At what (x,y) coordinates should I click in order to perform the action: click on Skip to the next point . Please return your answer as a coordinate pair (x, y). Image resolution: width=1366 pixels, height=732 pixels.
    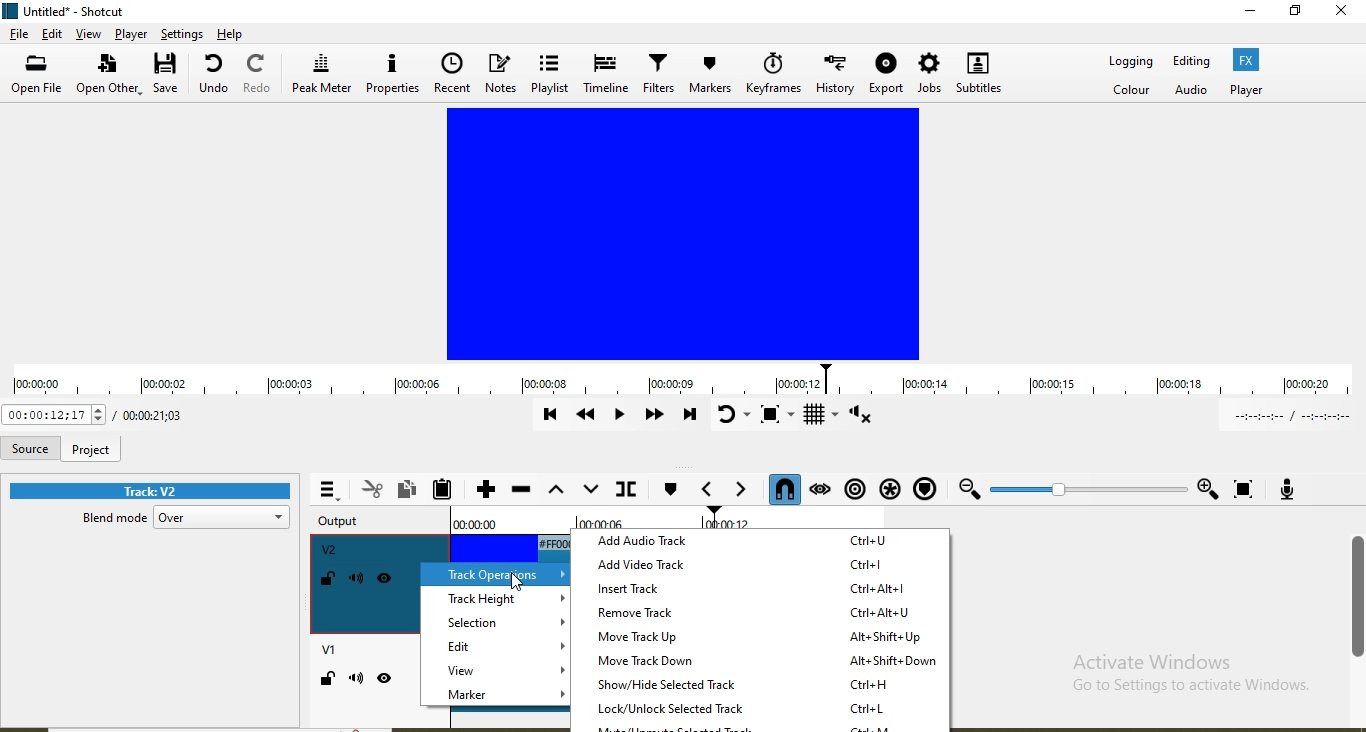
    Looking at the image, I should click on (687, 416).